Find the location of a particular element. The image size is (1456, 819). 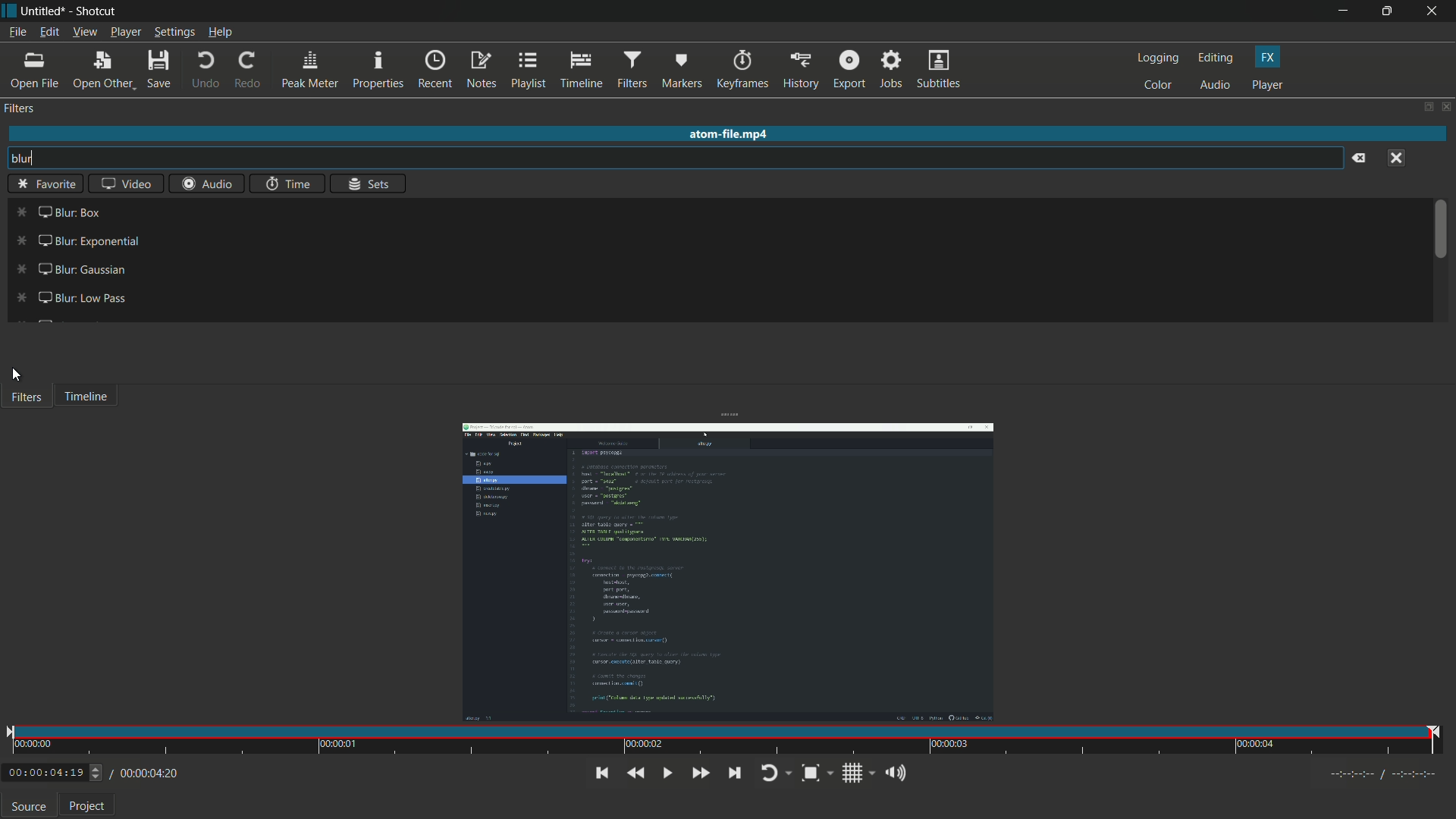

app name is located at coordinates (94, 13).